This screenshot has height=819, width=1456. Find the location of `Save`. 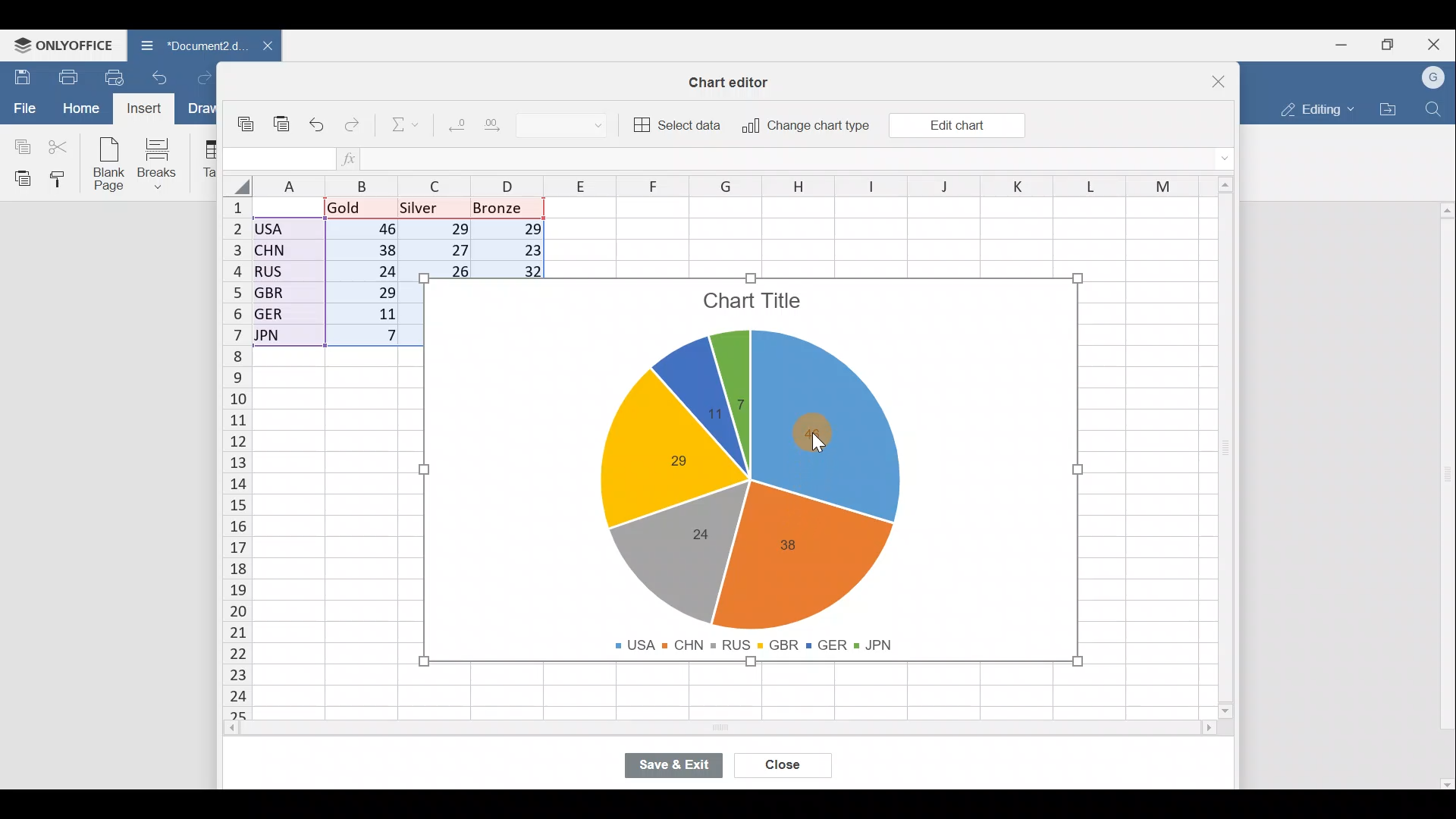

Save is located at coordinates (19, 77).